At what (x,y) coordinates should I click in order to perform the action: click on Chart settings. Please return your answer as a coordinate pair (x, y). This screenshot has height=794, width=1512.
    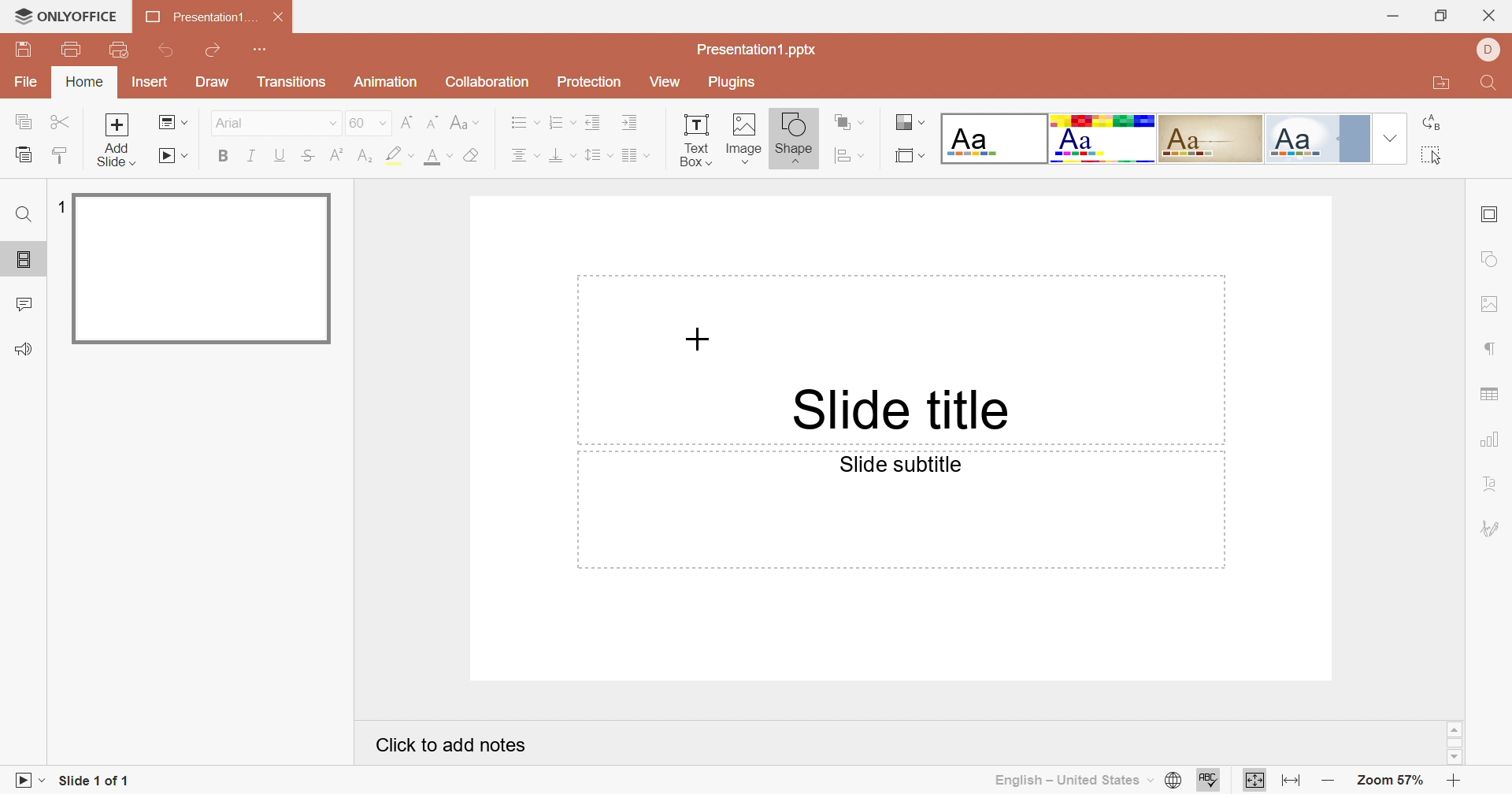
    Looking at the image, I should click on (1492, 440).